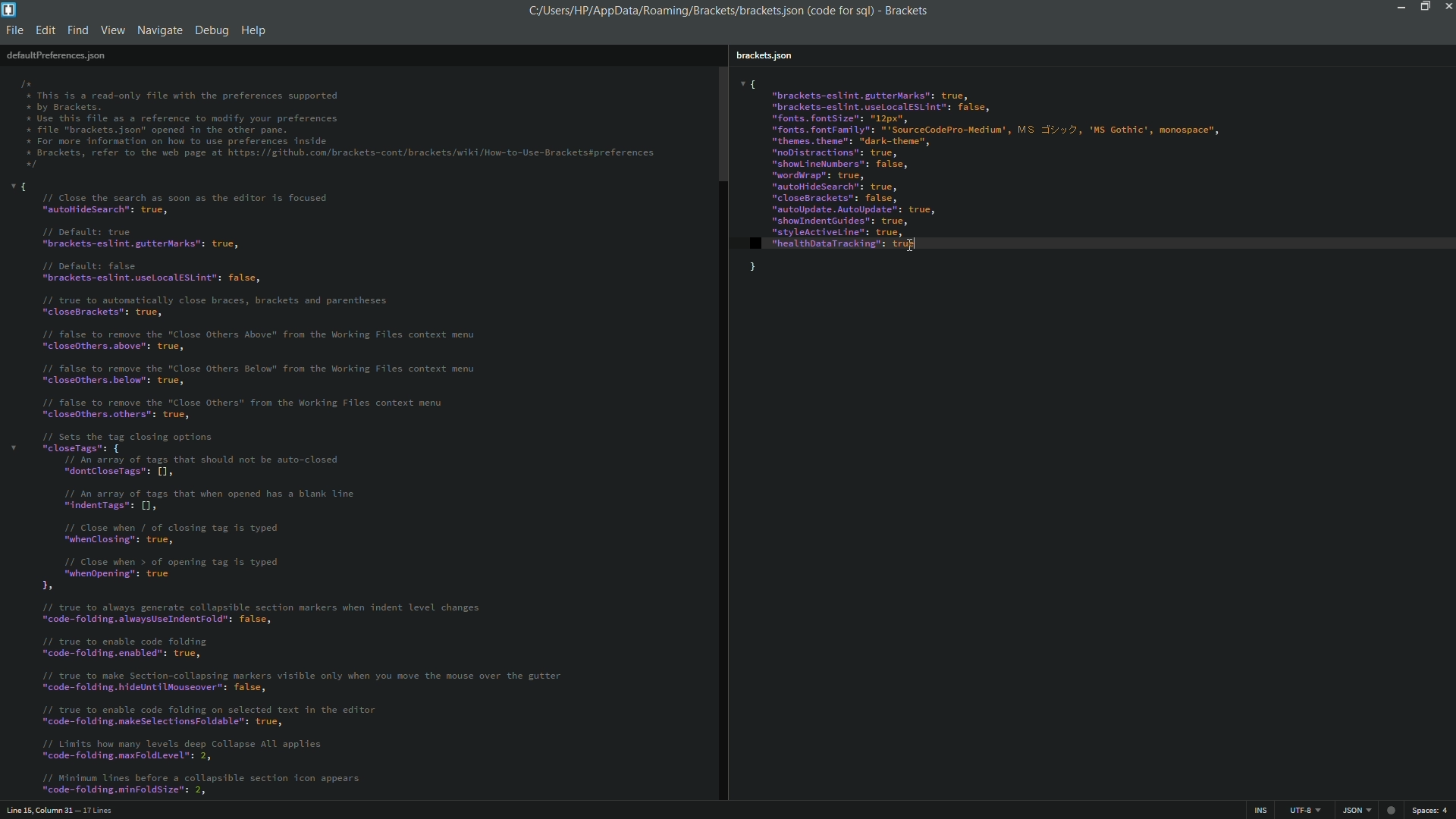 The width and height of the screenshot is (1456, 819). Describe the element at coordinates (112, 32) in the screenshot. I see `View menu` at that location.